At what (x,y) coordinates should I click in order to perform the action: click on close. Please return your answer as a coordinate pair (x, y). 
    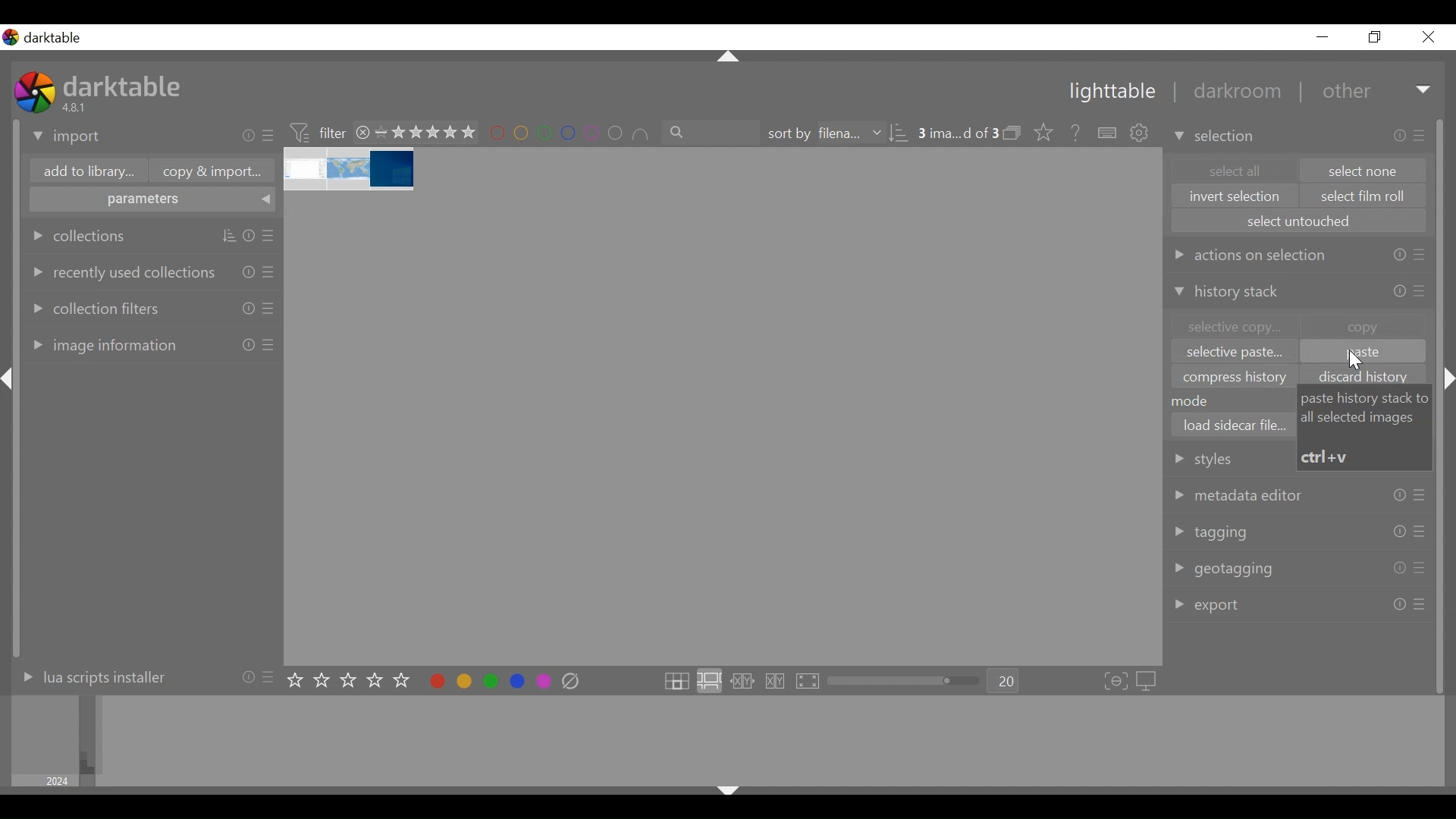
    Looking at the image, I should click on (1427, 37).